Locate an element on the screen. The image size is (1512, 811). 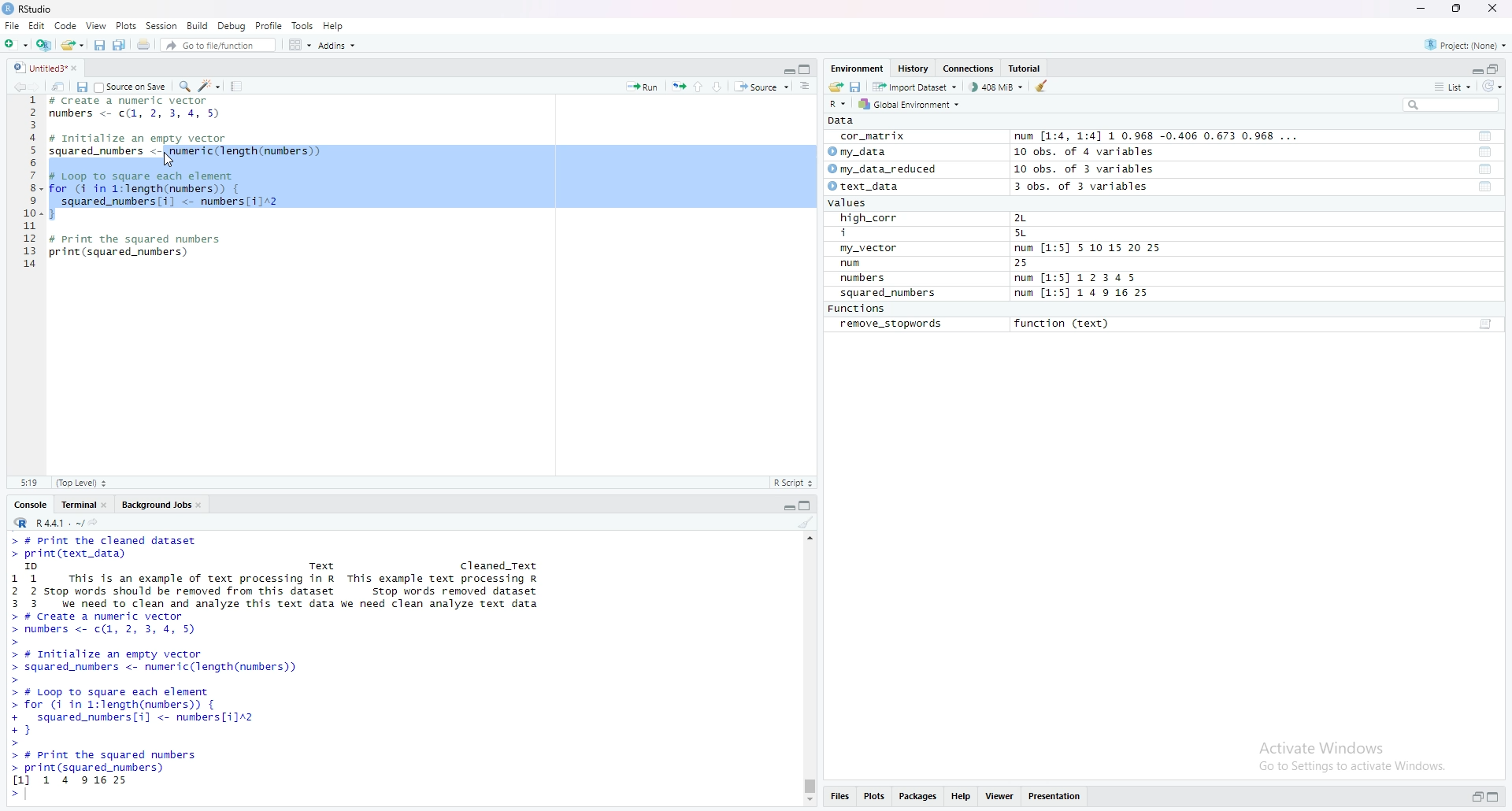
© my_data_reduced is located at coordinates (880, 169).